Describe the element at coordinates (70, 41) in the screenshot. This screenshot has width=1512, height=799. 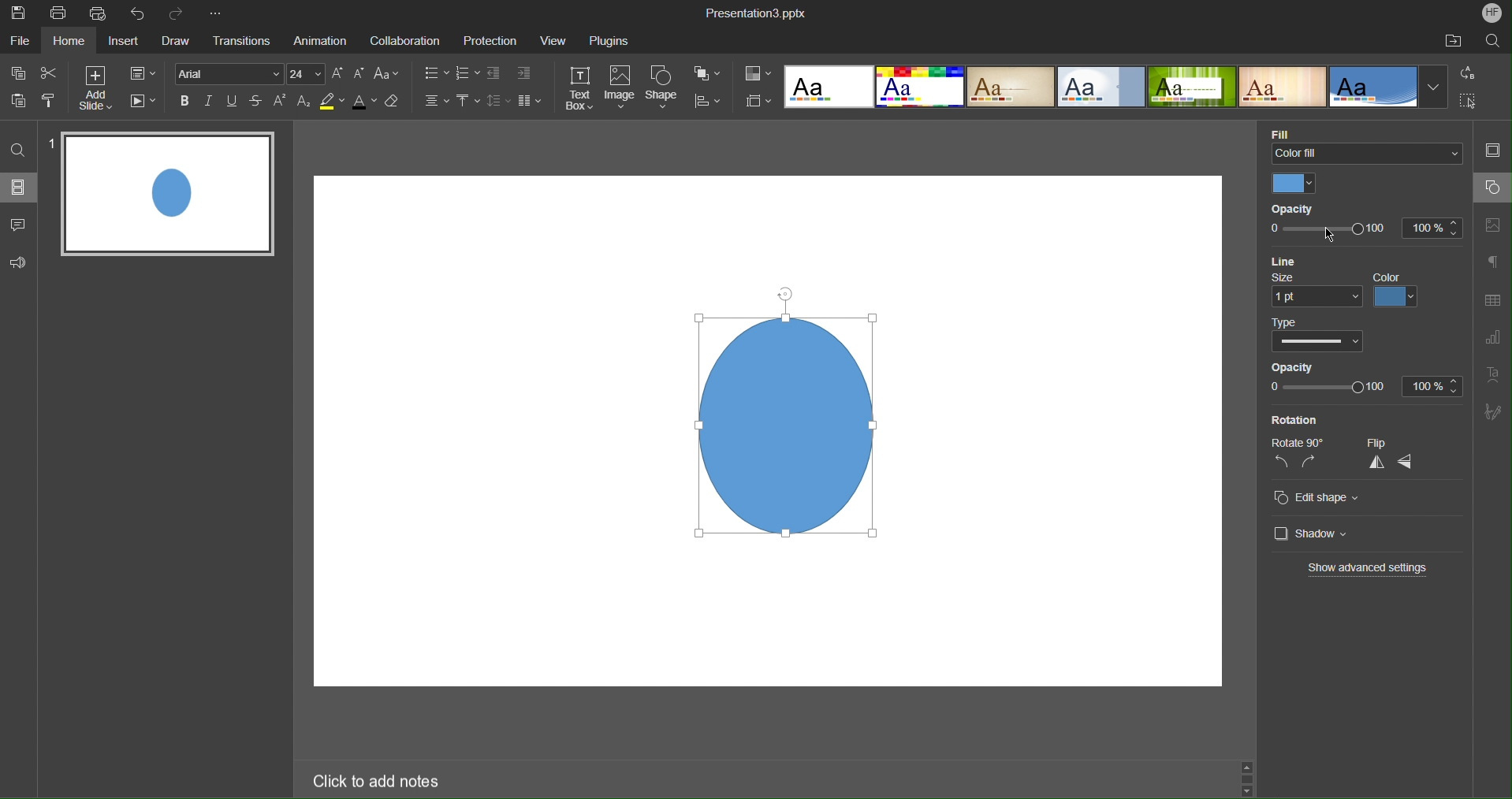
I see `Home` at that location.